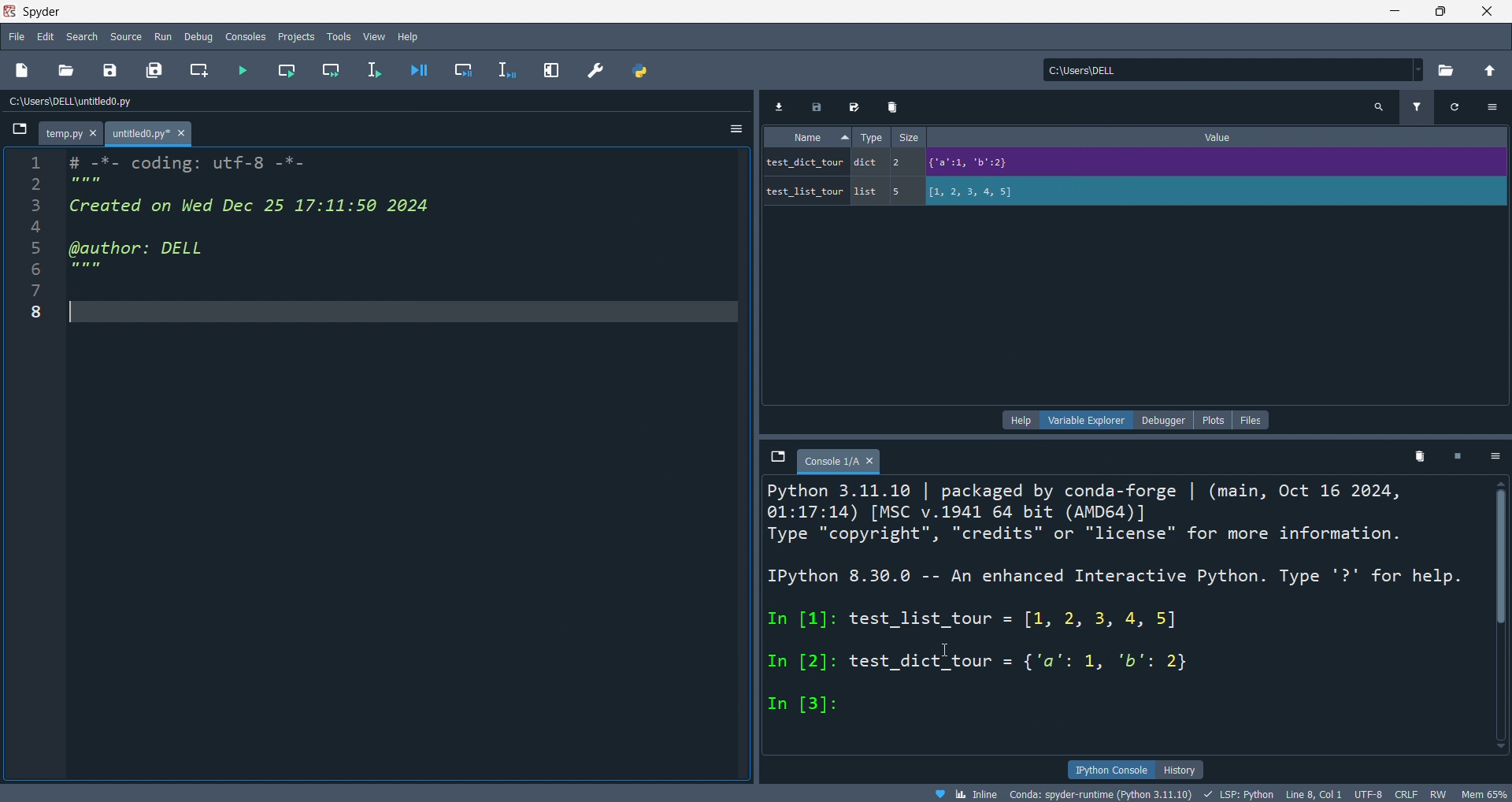 The height and width of the screenshot is (802, 1512). Describe the element at coordinates (1498, 619) in the screenshot. I see `scrollbar` at that location.